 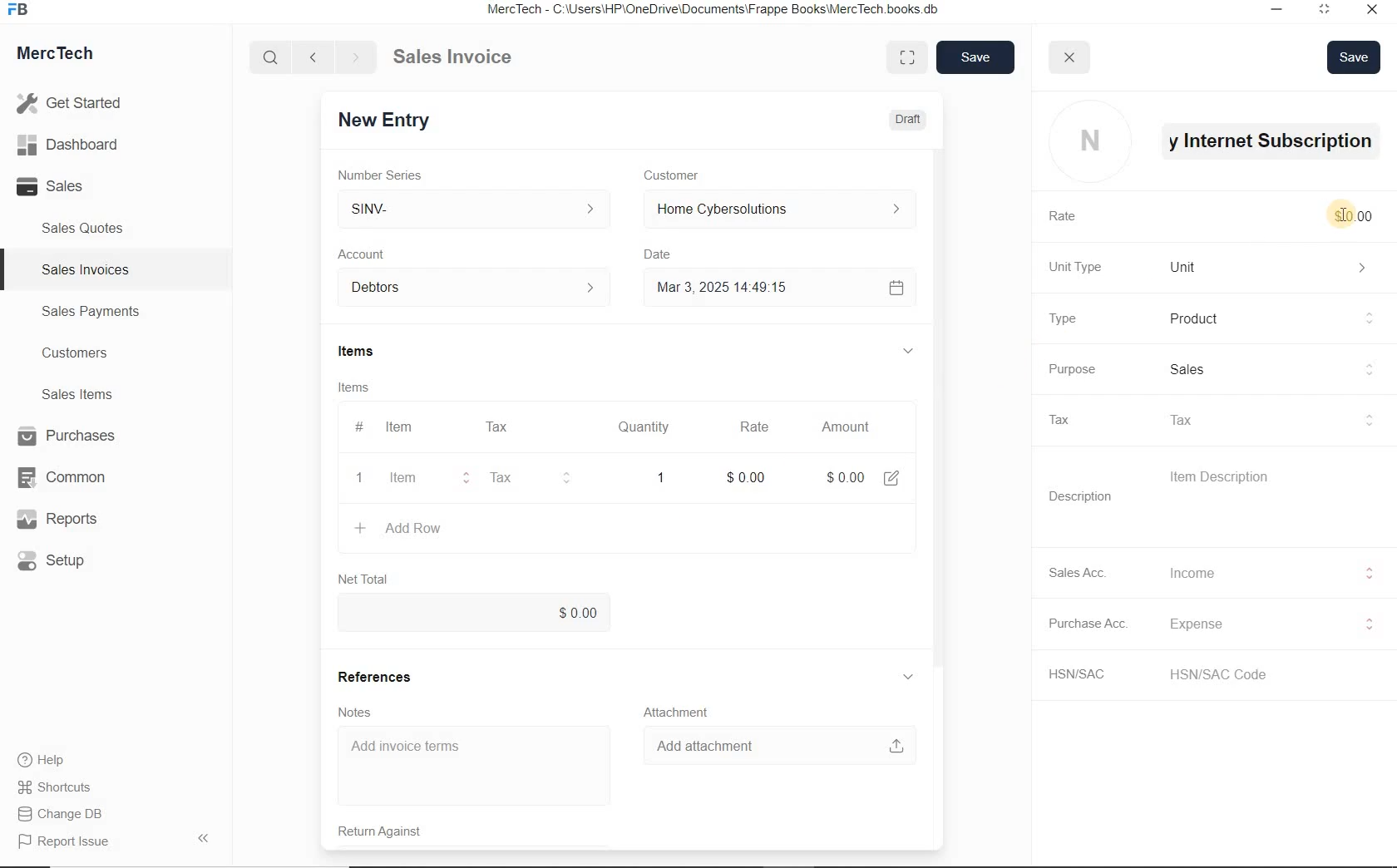 What do you see at coordinates (63, 57) in the screenshot?
I see `MercTech` at bounding box center [63, 57].